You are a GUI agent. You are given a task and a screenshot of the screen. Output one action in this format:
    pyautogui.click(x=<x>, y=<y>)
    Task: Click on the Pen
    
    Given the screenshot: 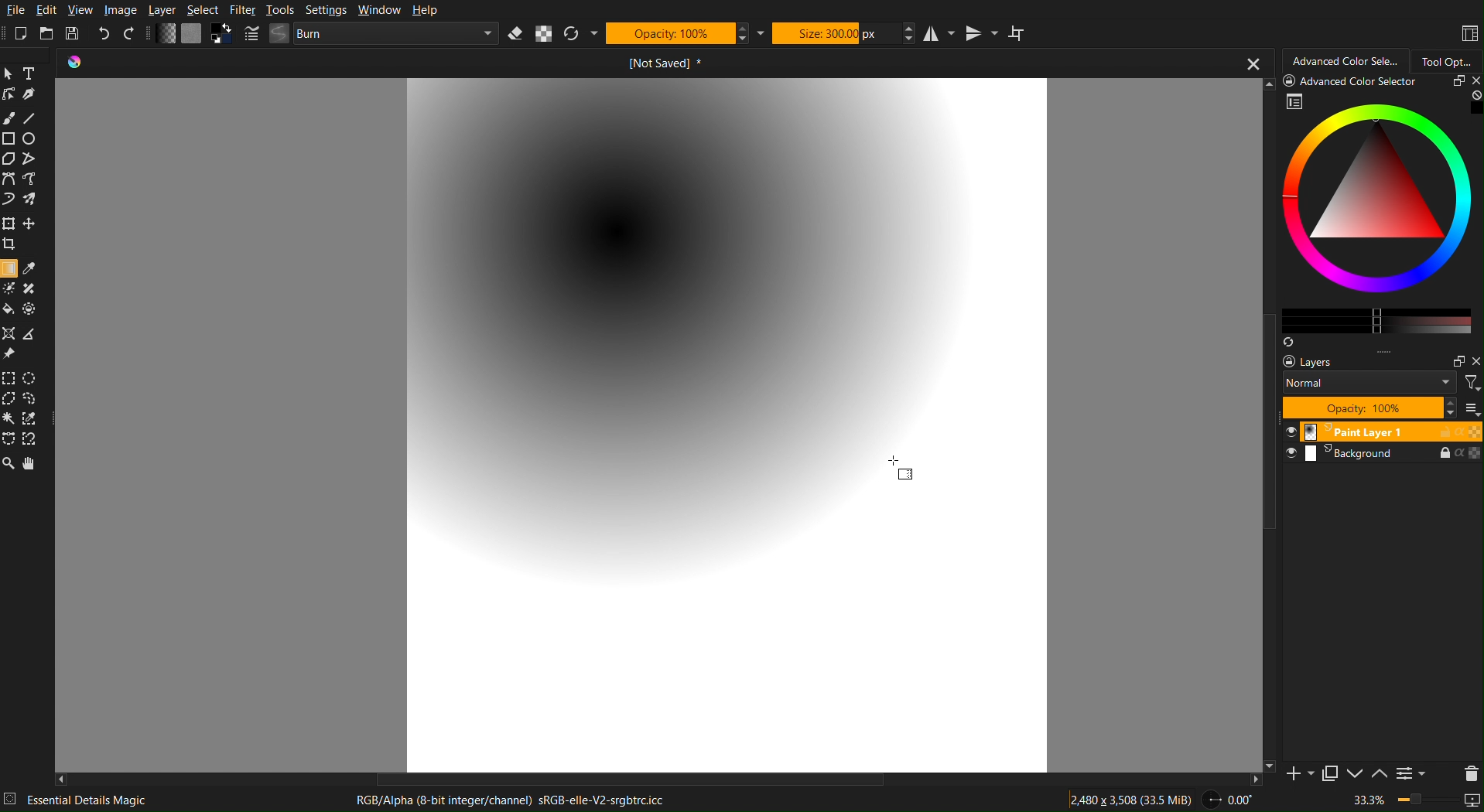 What is the action you would take?
    pyautogui.click(x=32, y=94)
    